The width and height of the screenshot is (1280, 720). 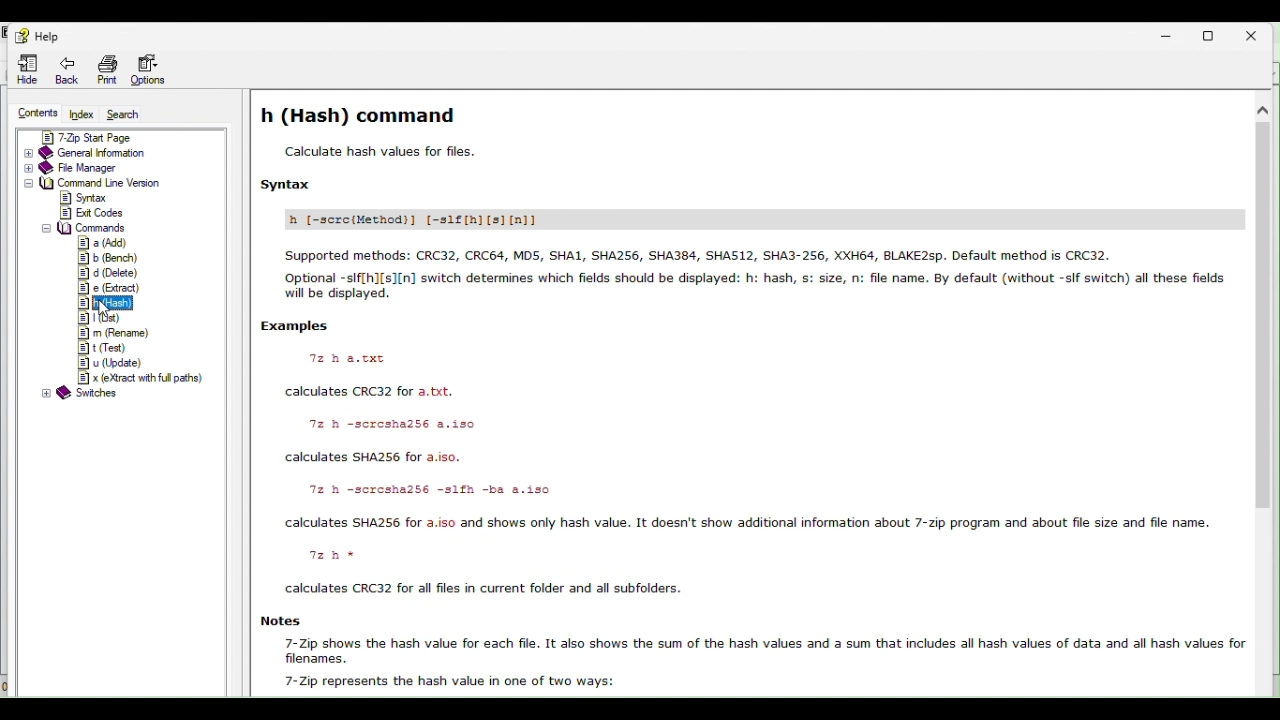 I want to click on exit codes, so click(x=93, y=212).